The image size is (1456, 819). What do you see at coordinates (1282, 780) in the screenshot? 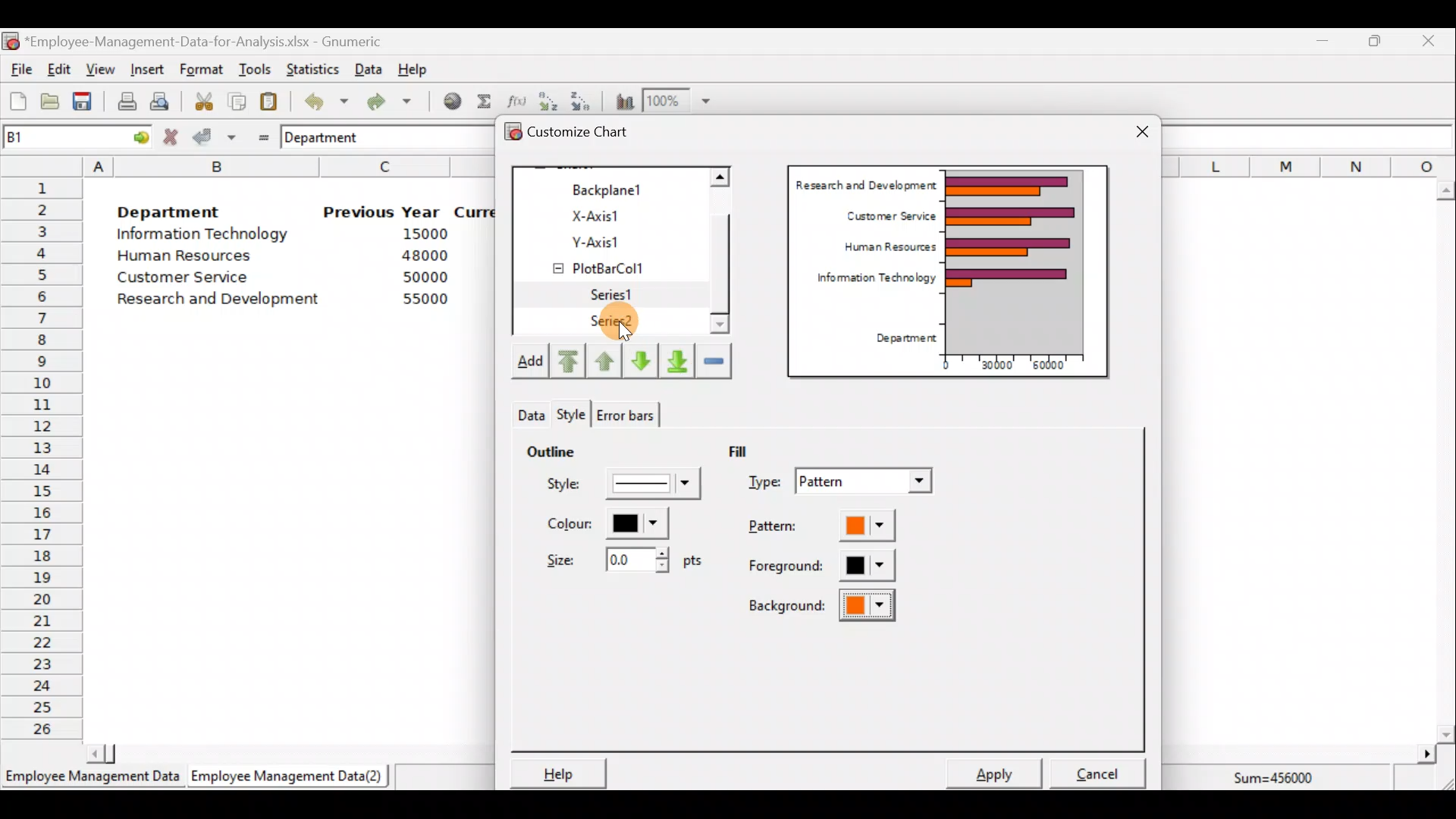
I see `Sum=456000` at bounding box center [1282, 780].